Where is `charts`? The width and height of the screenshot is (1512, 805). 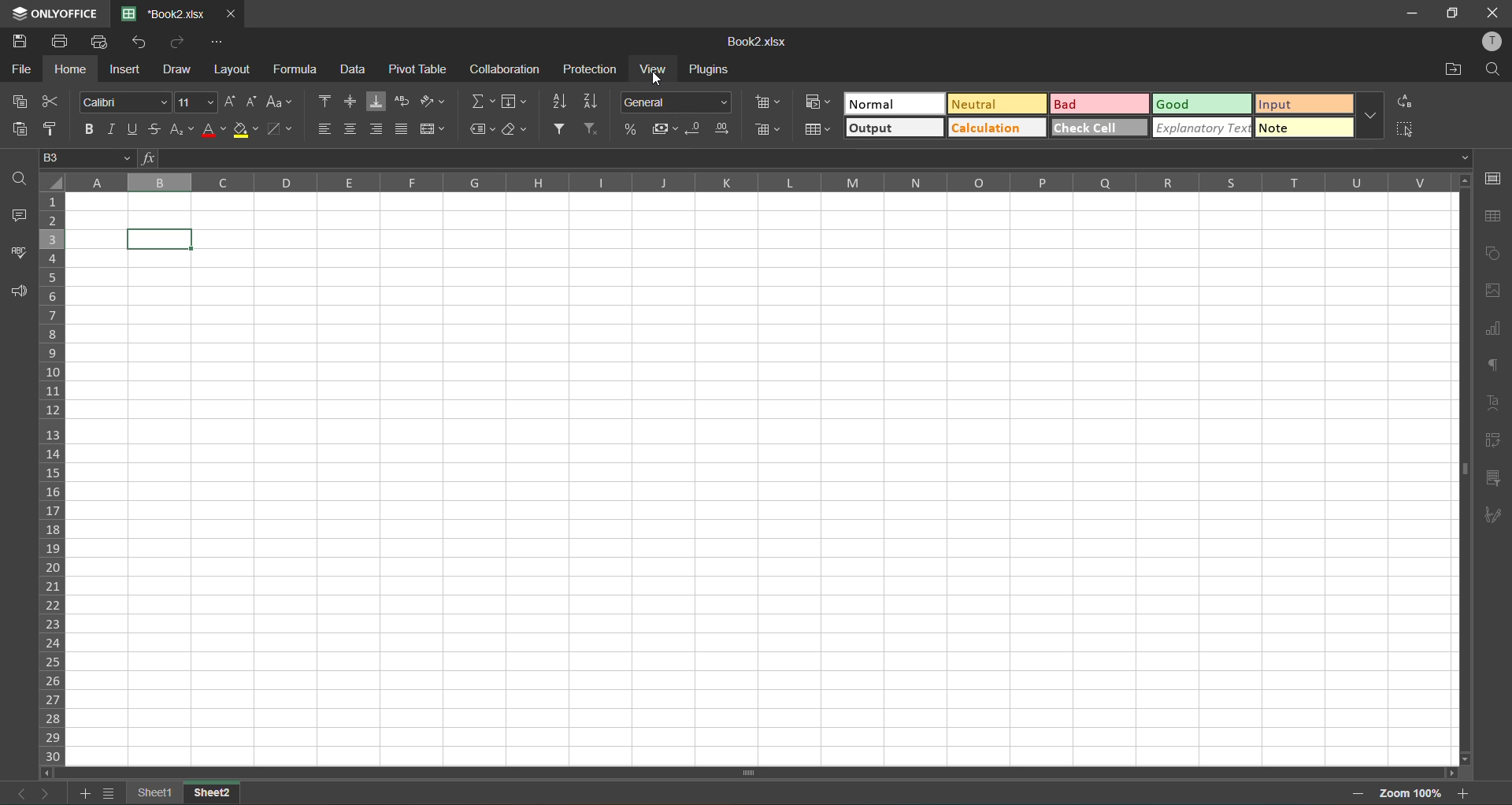 charts is located at coordinates (1492, 333).